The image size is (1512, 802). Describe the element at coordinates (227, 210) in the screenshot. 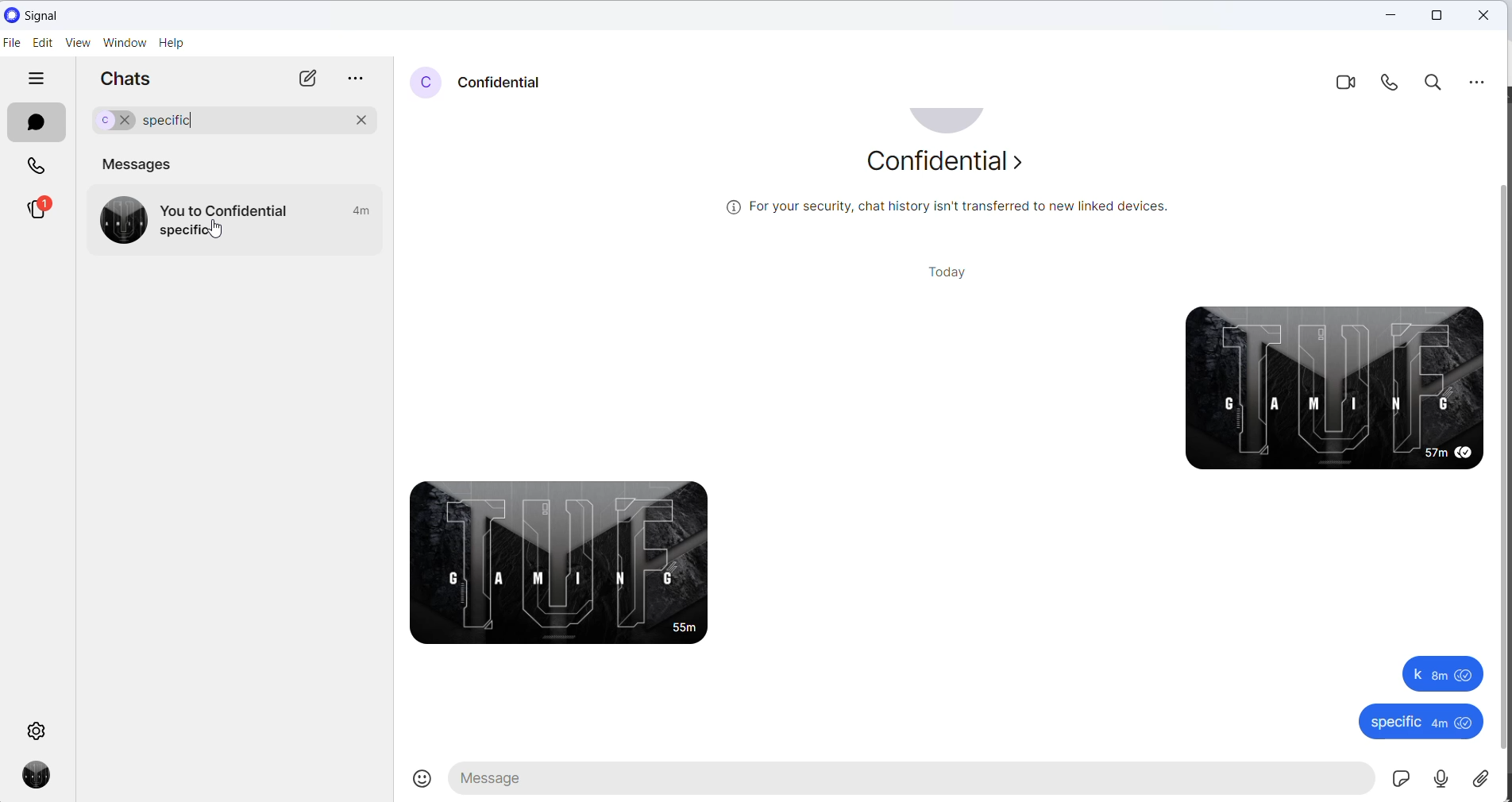

I see `message to and frpm` at that location.